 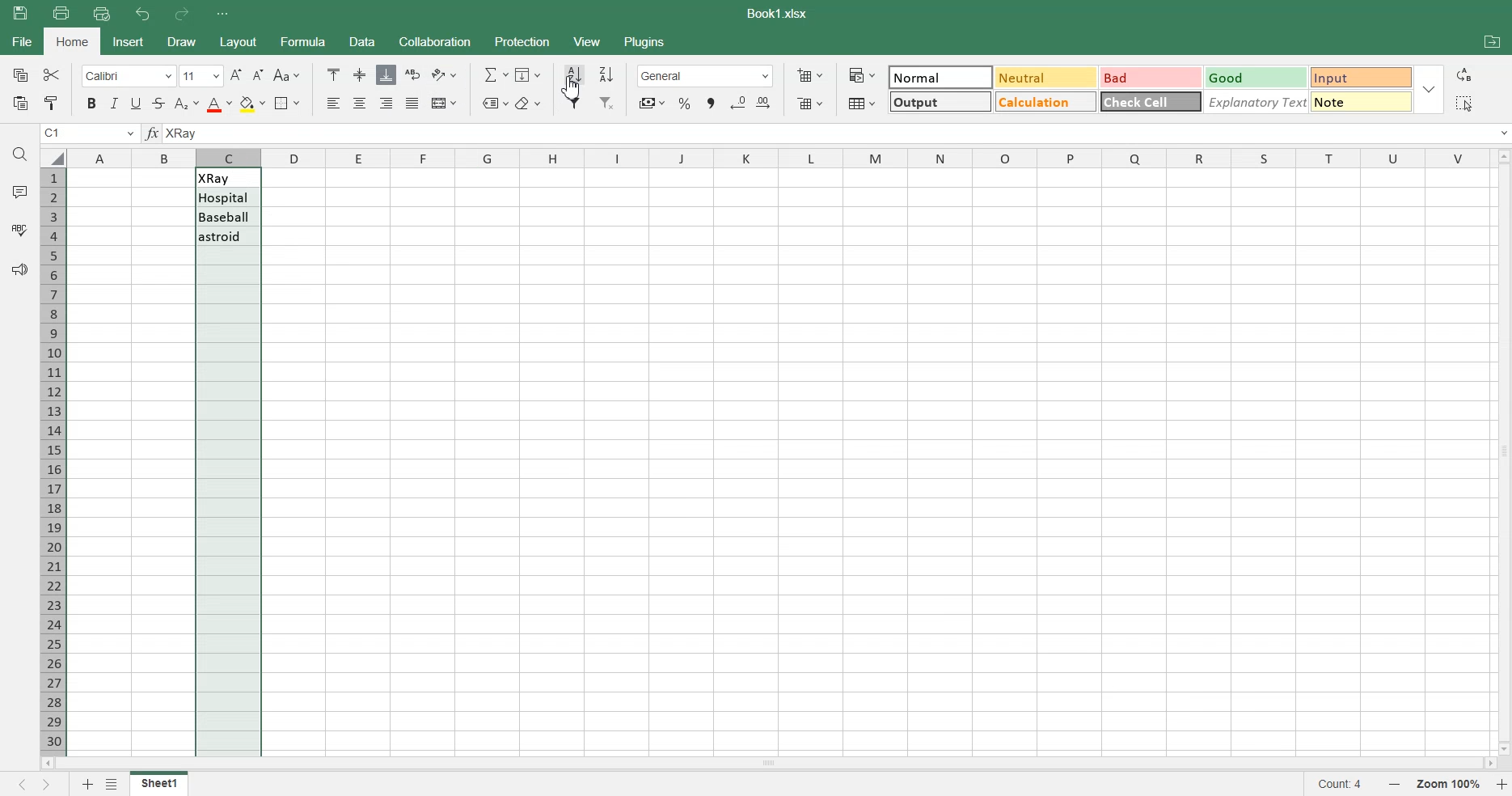 I want to click on Check cell, so click(x=1151, y=105).